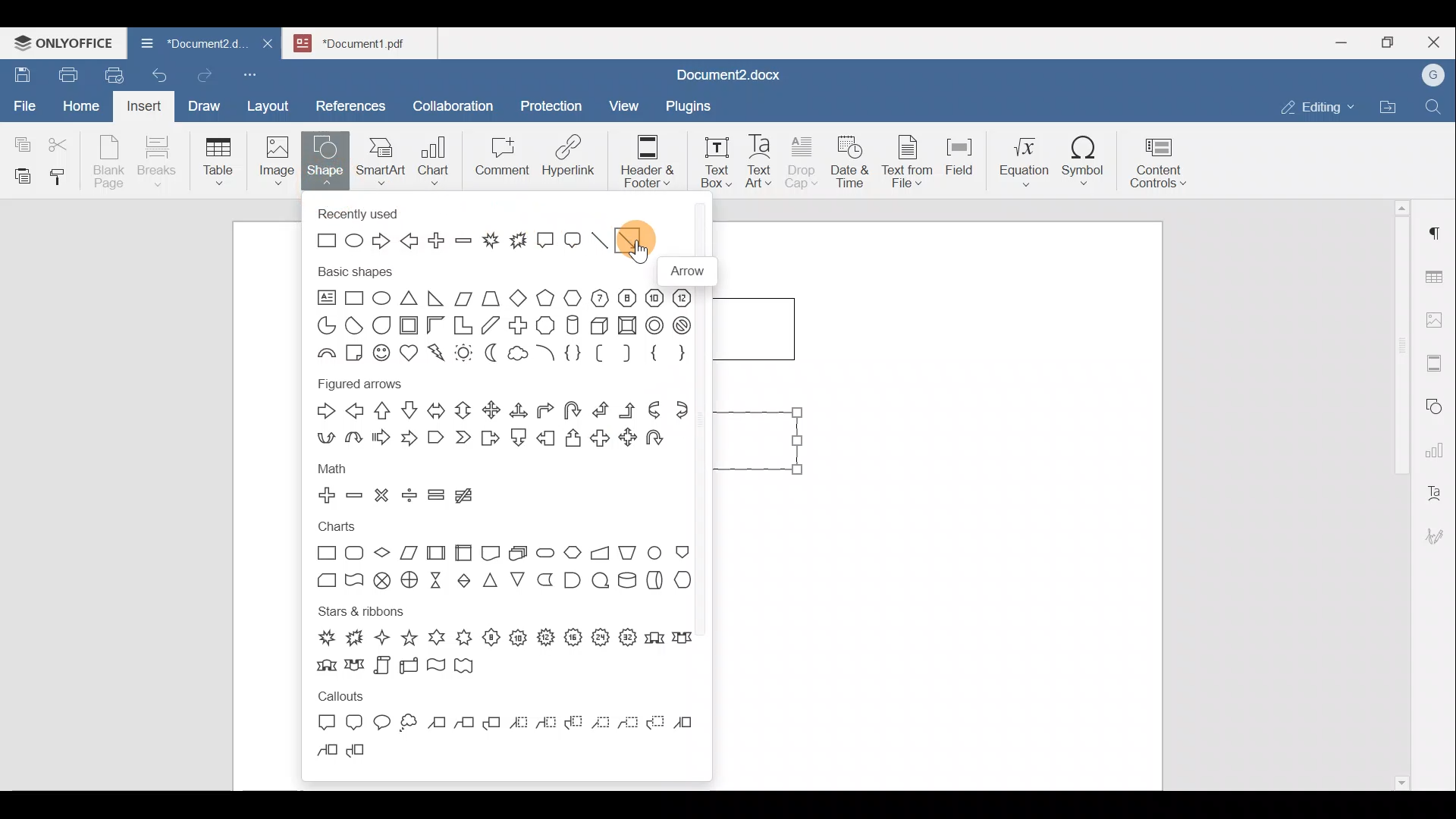  Describe the element at coordinates (156, 162) in the screenshot. I see `Breaks` at that location.